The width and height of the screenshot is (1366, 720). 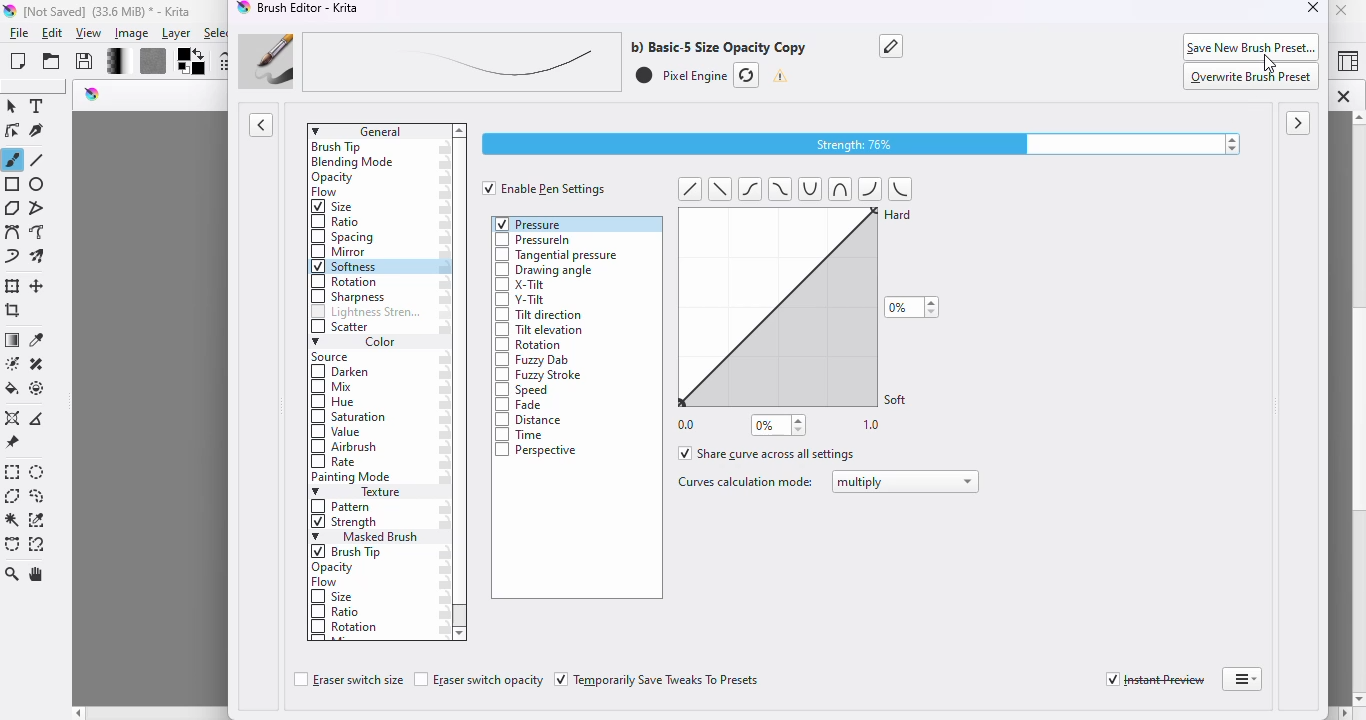 I want to click on tangential pressure, so click(x=558, y=254).